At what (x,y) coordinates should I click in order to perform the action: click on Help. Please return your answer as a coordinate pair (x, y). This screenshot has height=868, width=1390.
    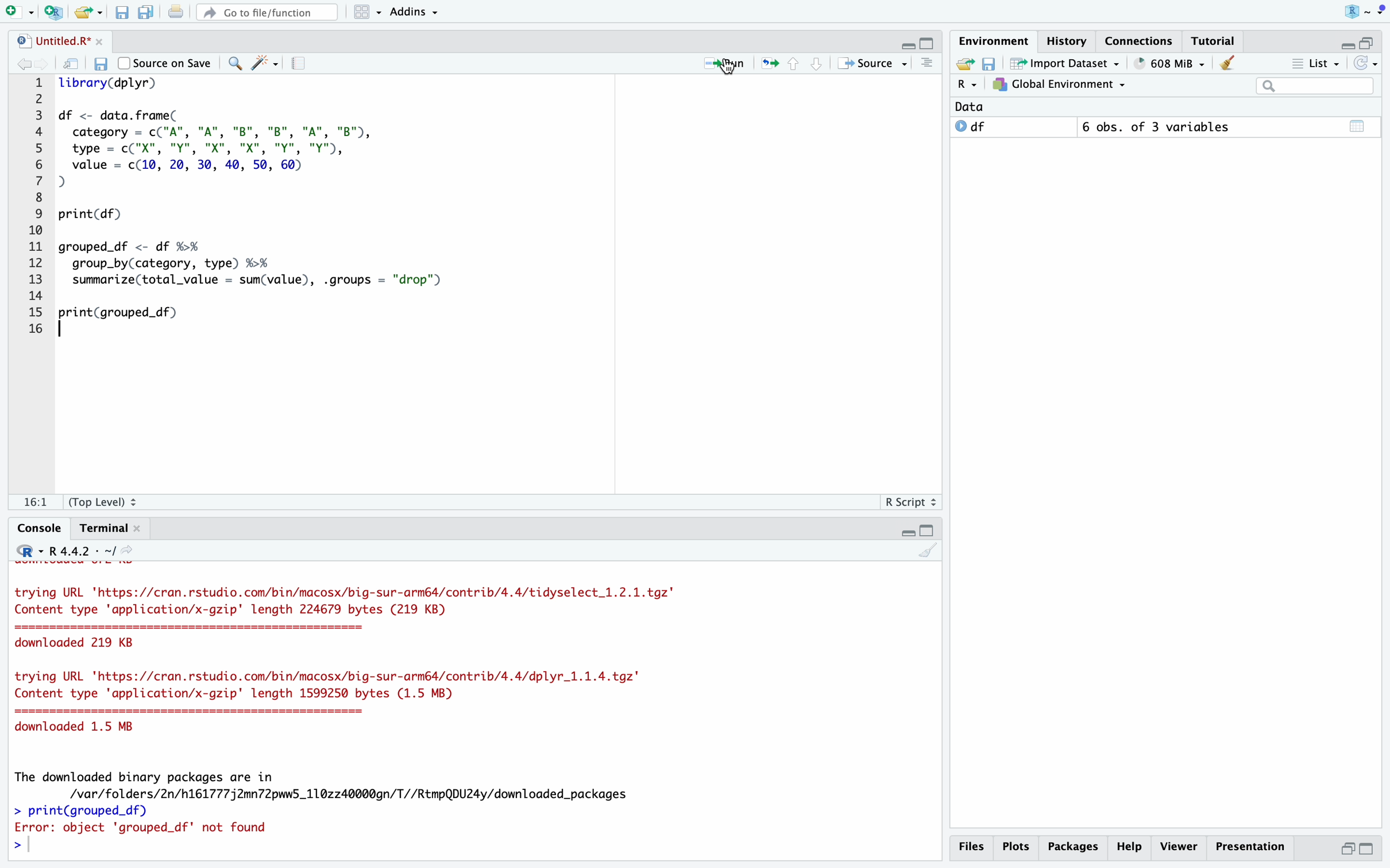
    Looking at the image, I should click on (1130, 847).